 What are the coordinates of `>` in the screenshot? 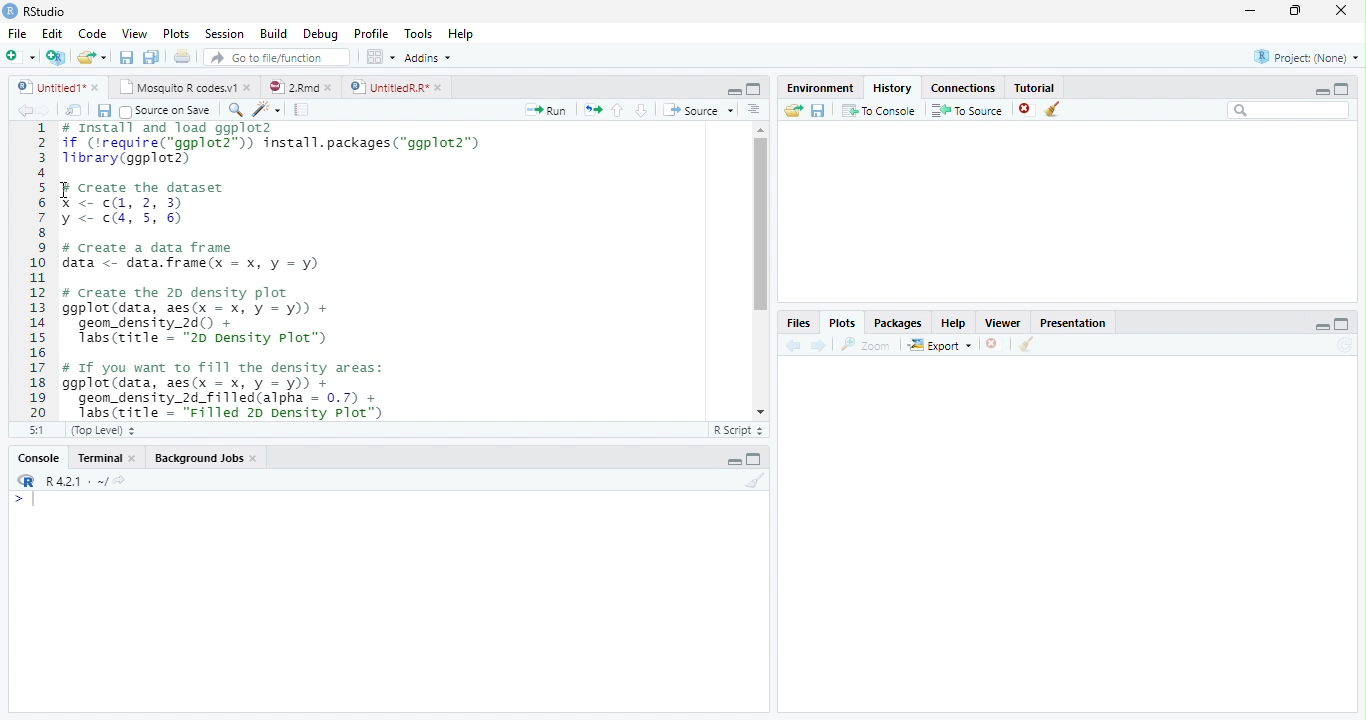 It's located at (24, 500).